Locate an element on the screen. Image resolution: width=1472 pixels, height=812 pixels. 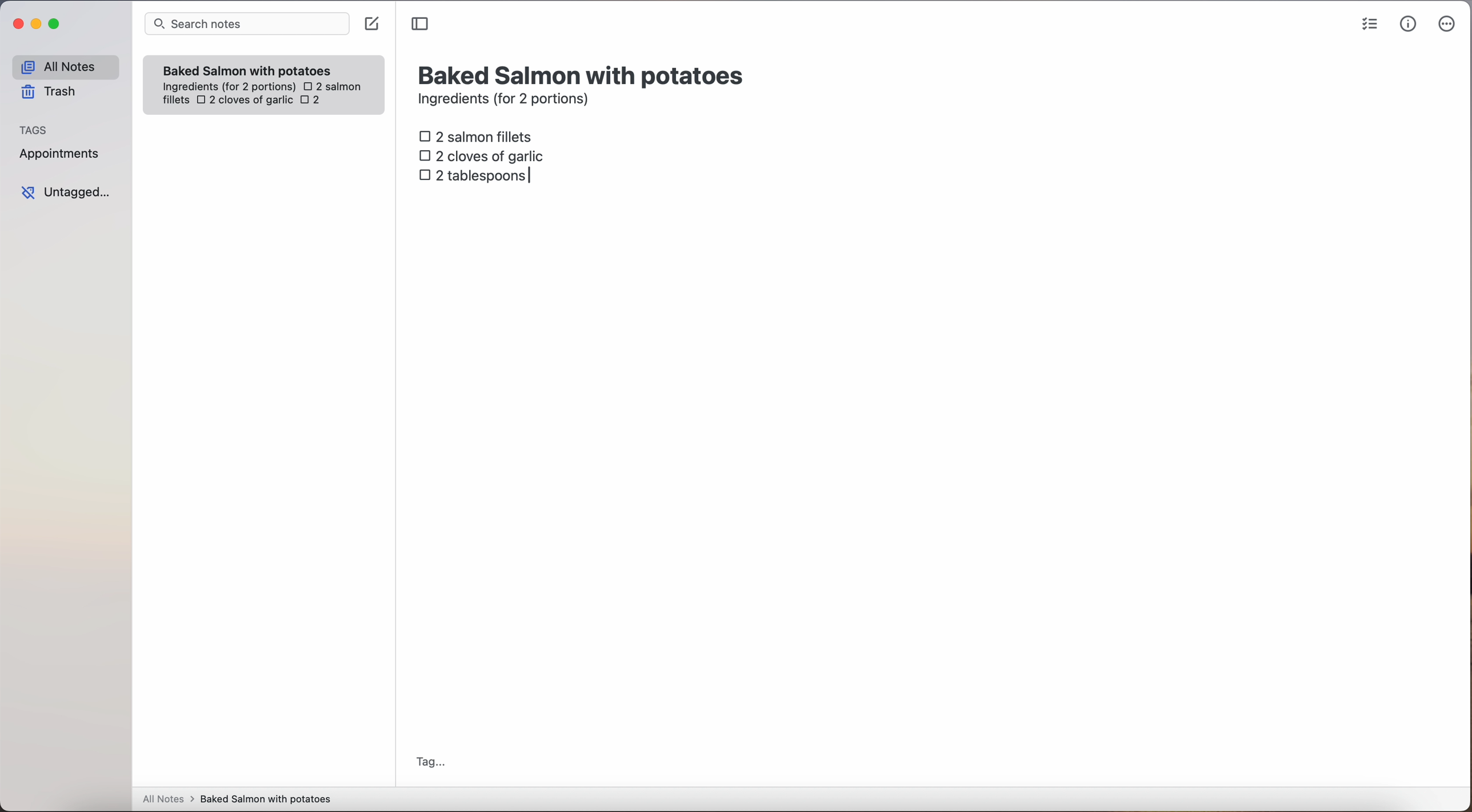
tag is located at coordinates (430, 763).